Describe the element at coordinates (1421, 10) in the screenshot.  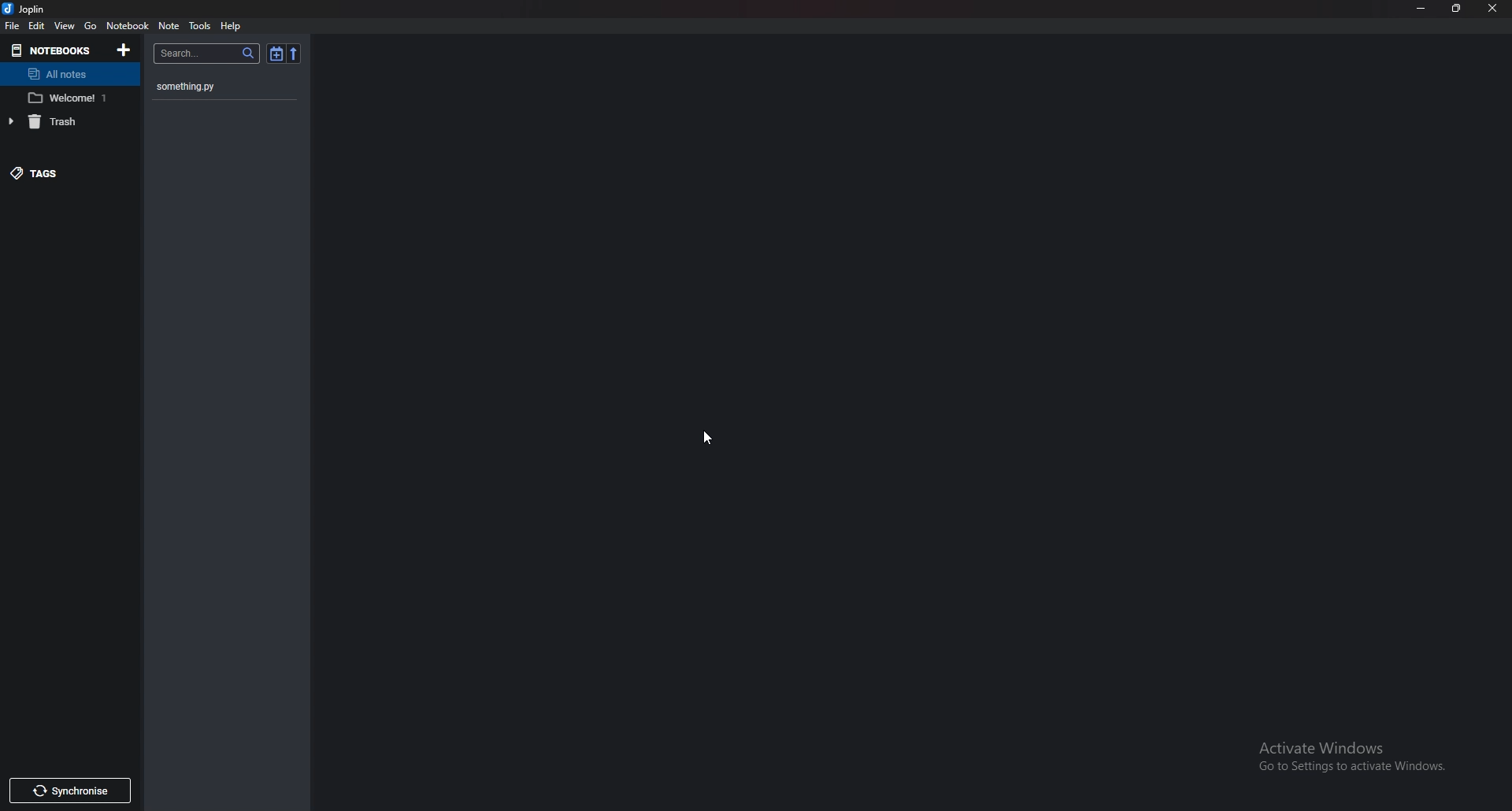
I see `minimize` at that location.